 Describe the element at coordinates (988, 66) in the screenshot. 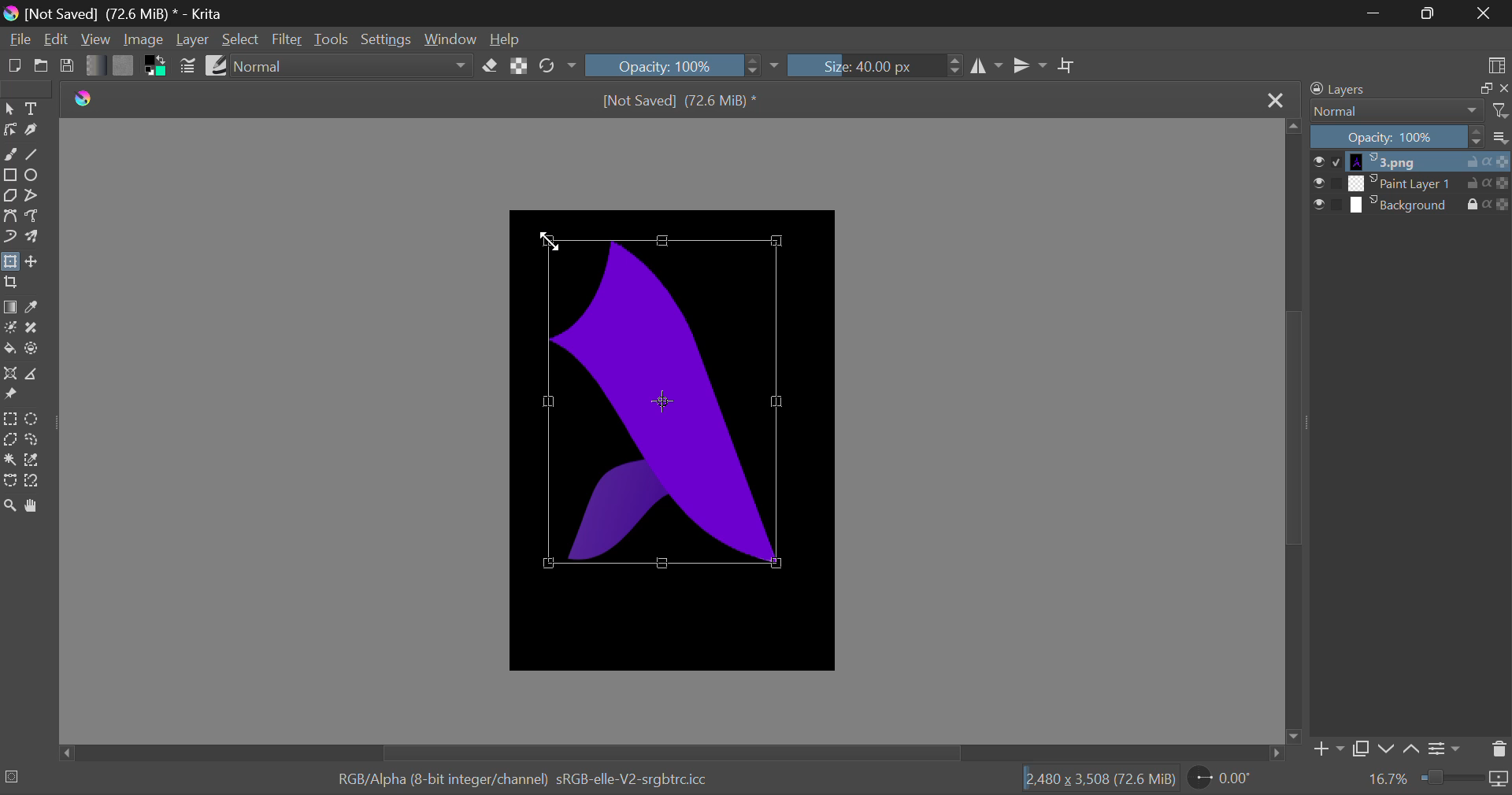

I see `Vertical Mirror Flip` at that location.